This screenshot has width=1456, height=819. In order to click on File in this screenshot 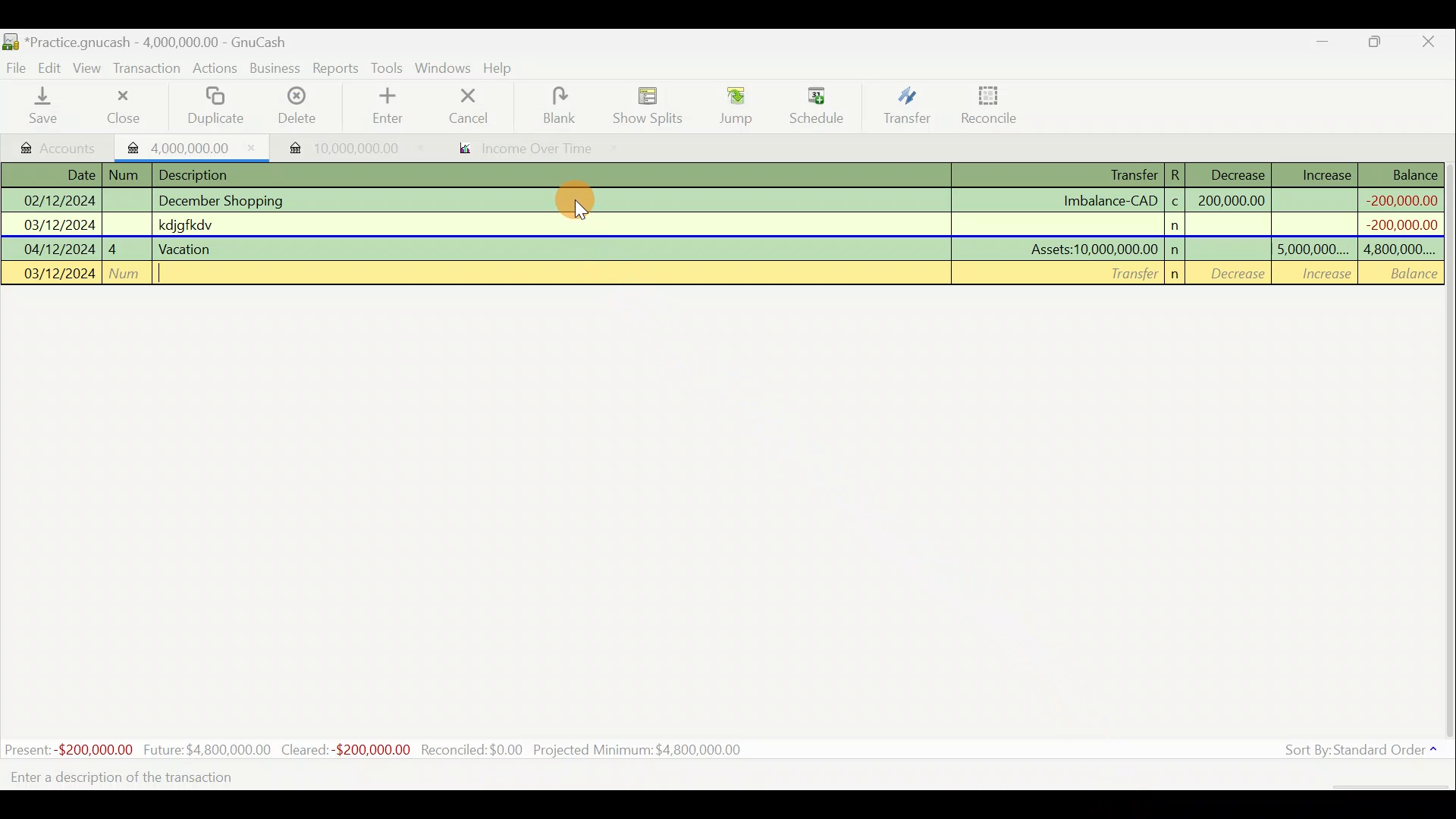, I will do `click(17, 68)`.